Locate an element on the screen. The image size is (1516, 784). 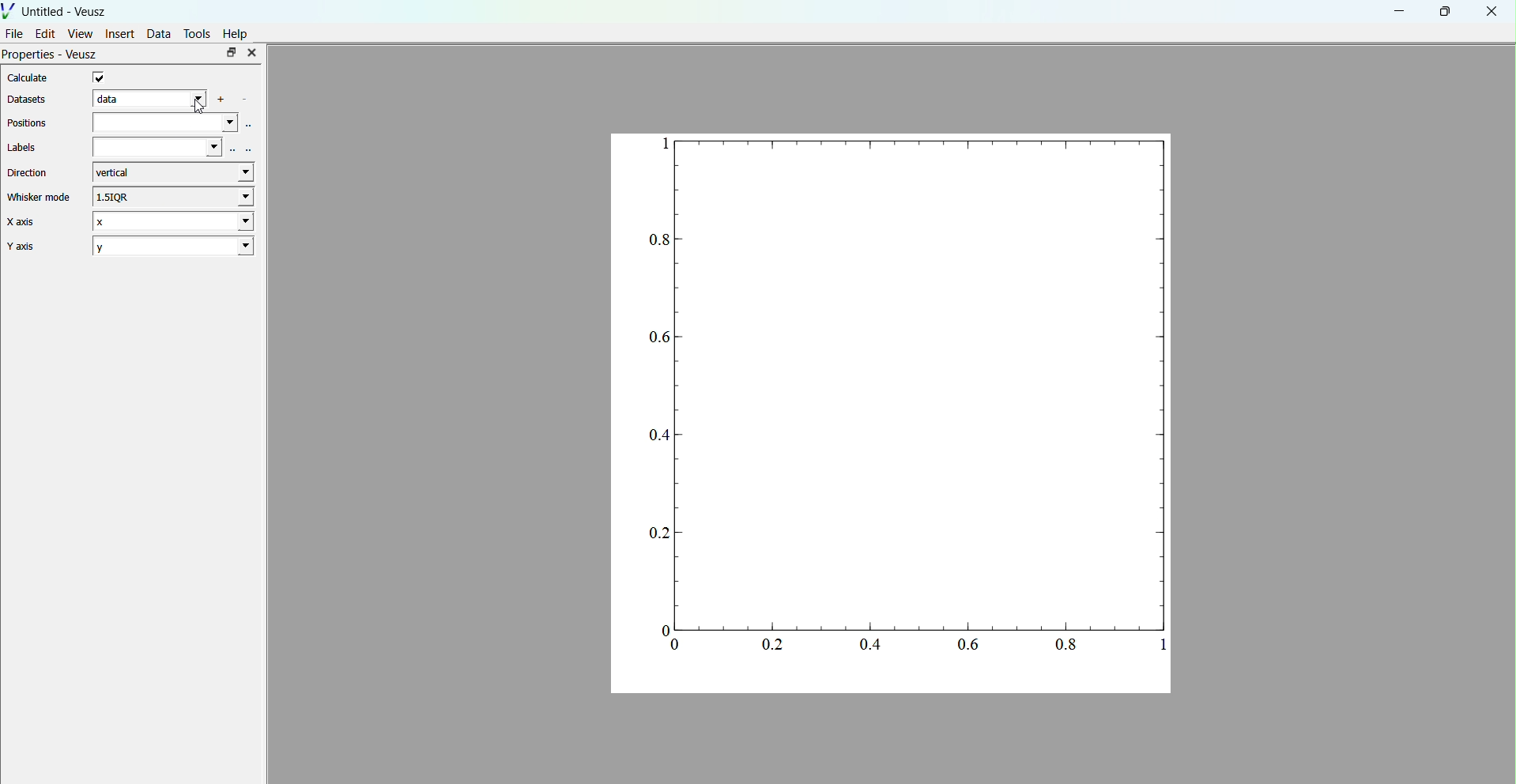
View is located at coordinates (80, 33).